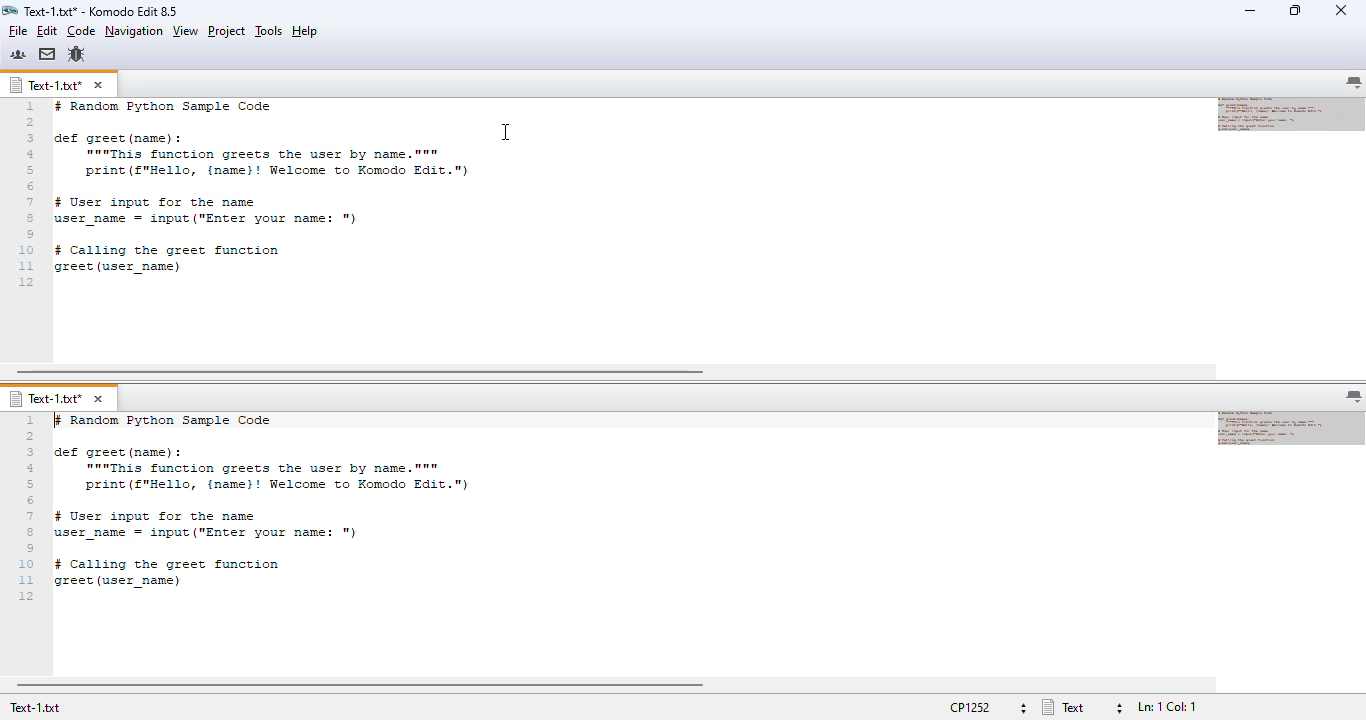 This screenshot has height=720, width=1366. What do you see at coordinates (18, 31) in the screenshot?
I see `file` at bounding box center [18, 31].